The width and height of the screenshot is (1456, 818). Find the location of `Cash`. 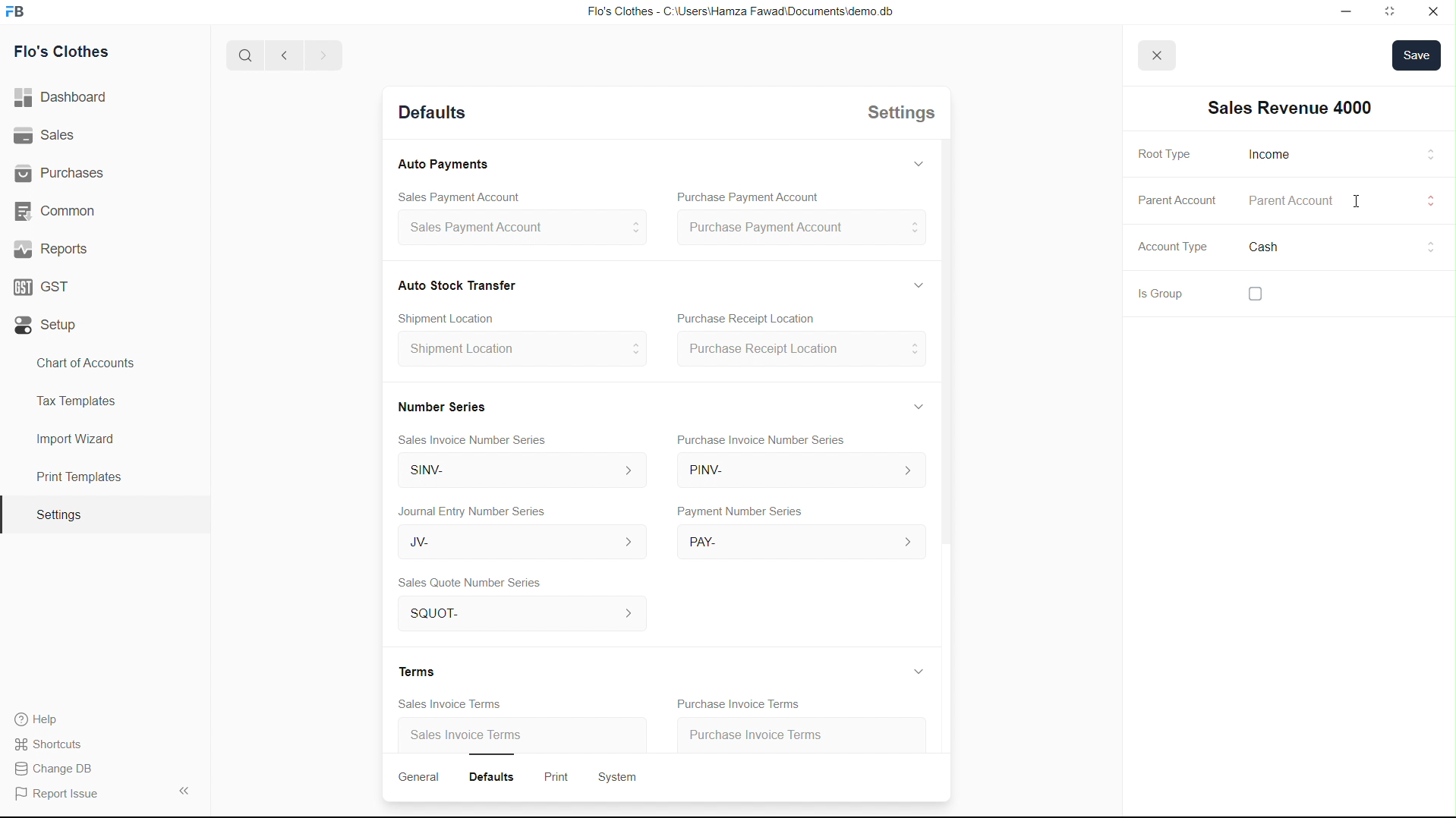

Cash is located at coordinates (1275, 249).